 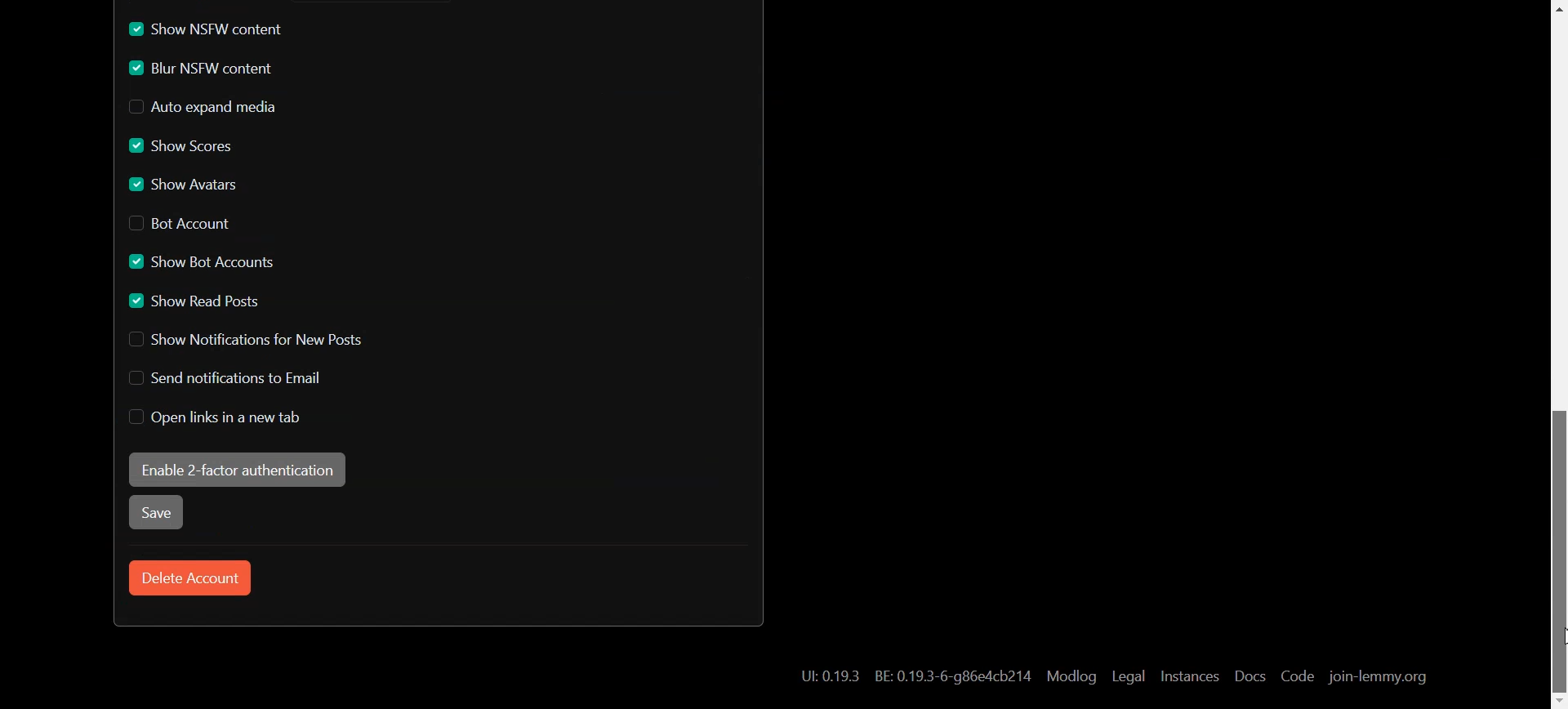 What do you see at coordinates (1554, 354) in the screenshot?
I see `Scroll bar` at bounding box center [1554, 354].